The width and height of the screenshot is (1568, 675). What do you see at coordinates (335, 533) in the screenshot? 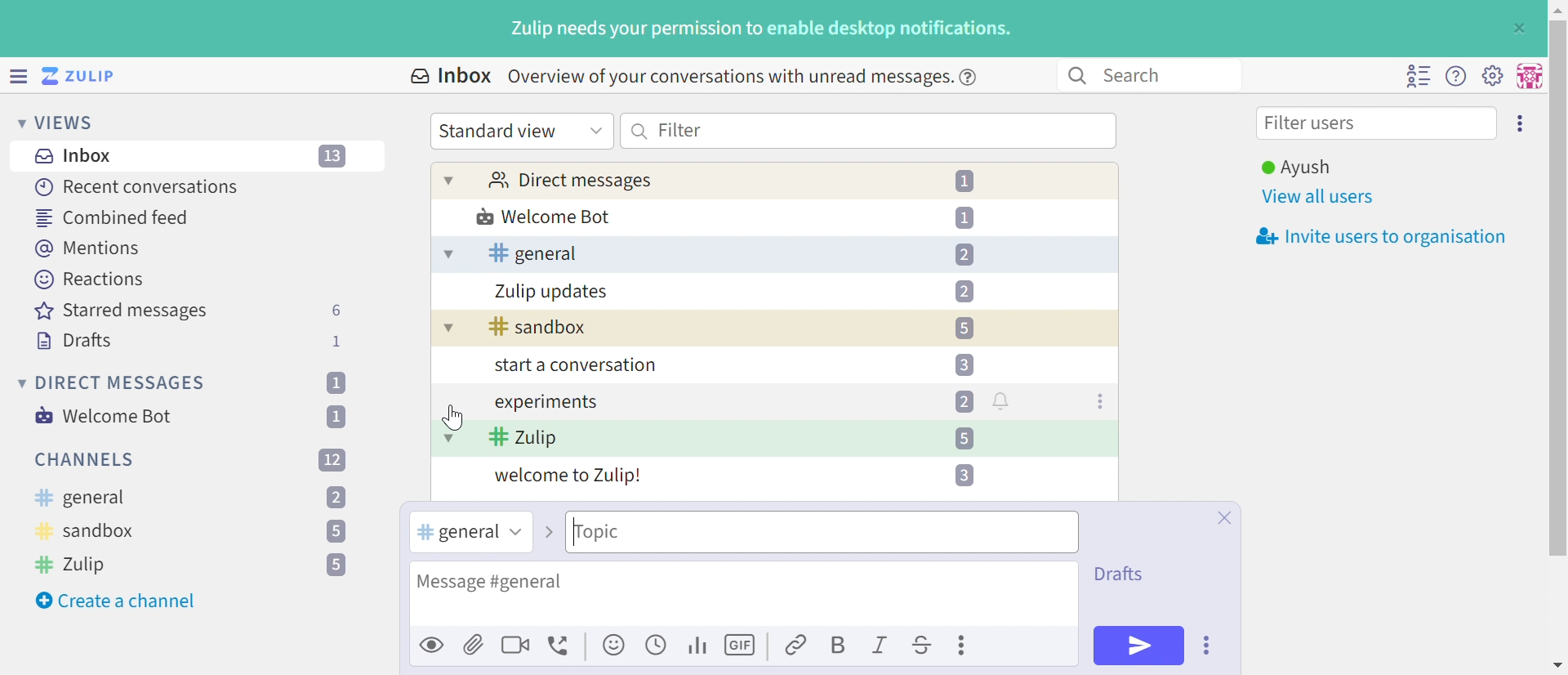
I see `5` at bounding box center [335, 533].